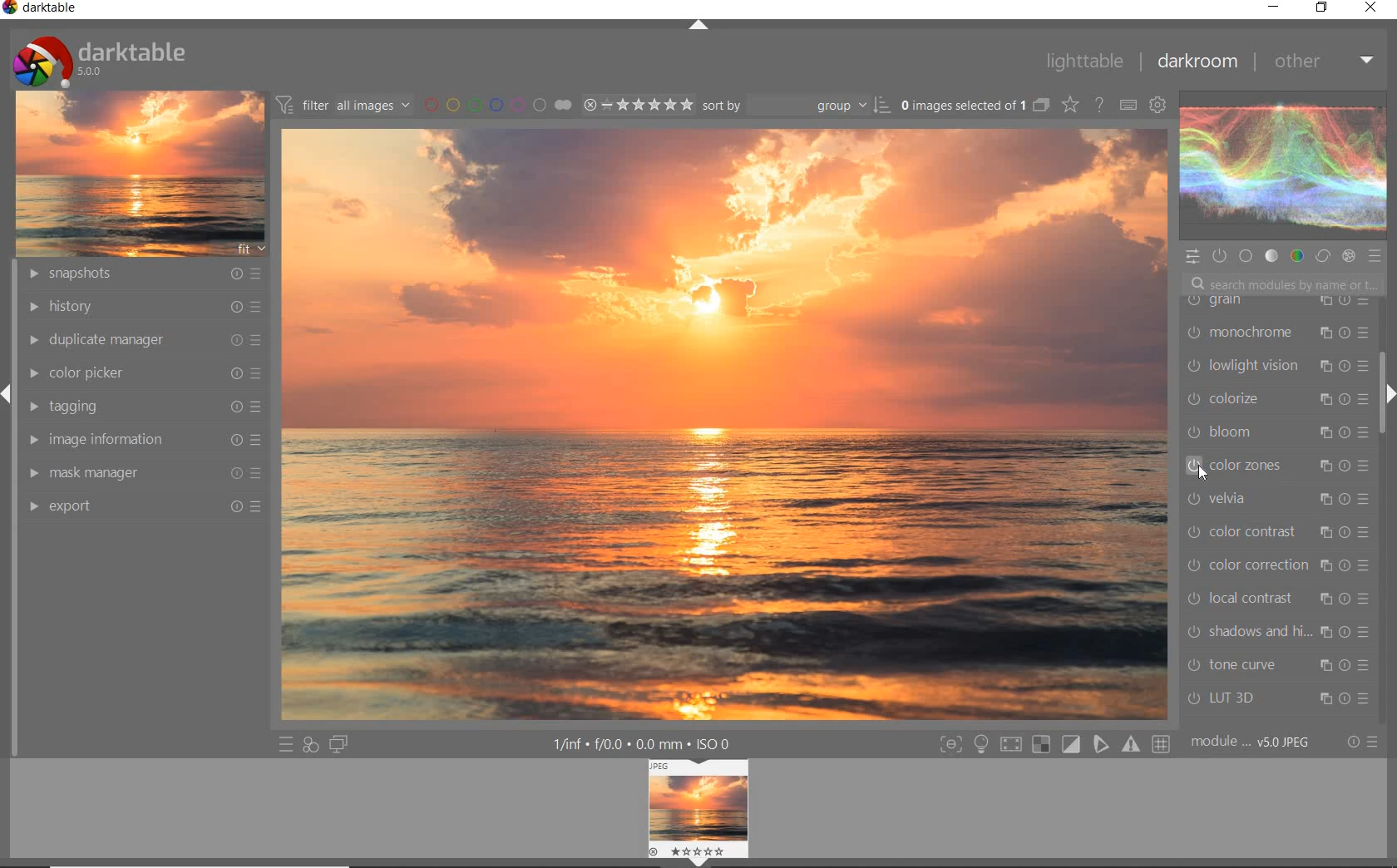  What do you see at coordinates (496, 104) in the screenshot?
I see `FITER BY COLOR LABEL` at bounding box center [496, 104].